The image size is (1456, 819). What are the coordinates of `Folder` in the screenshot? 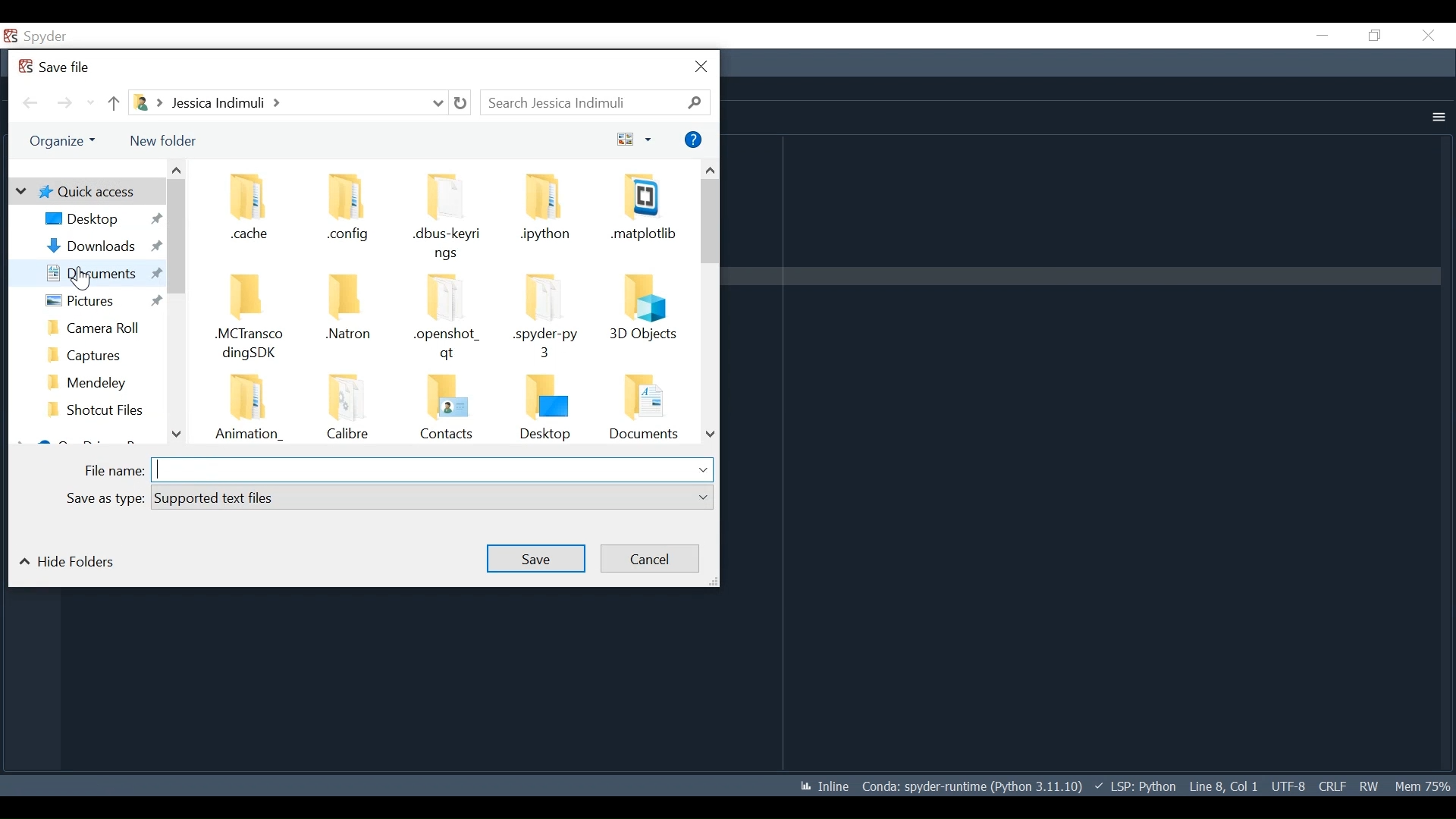 It's located at (642, 214).